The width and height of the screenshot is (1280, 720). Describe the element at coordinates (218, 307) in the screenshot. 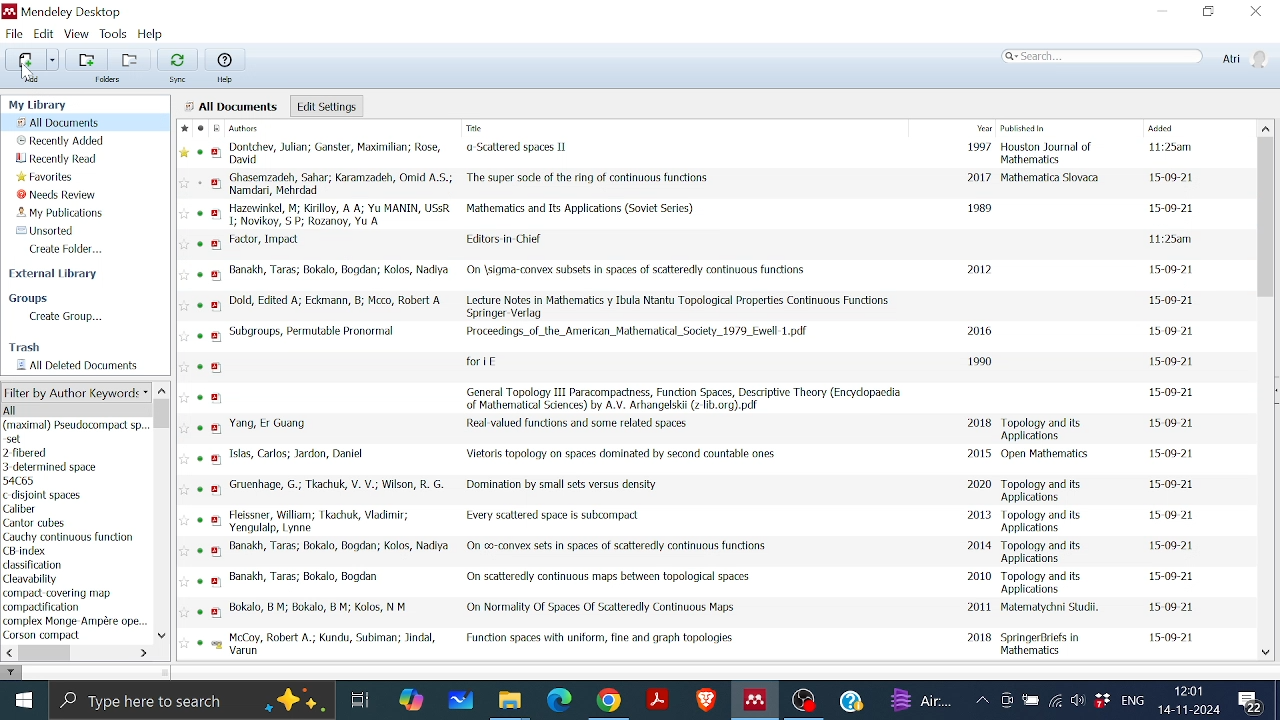

I see `pdf` at that location.